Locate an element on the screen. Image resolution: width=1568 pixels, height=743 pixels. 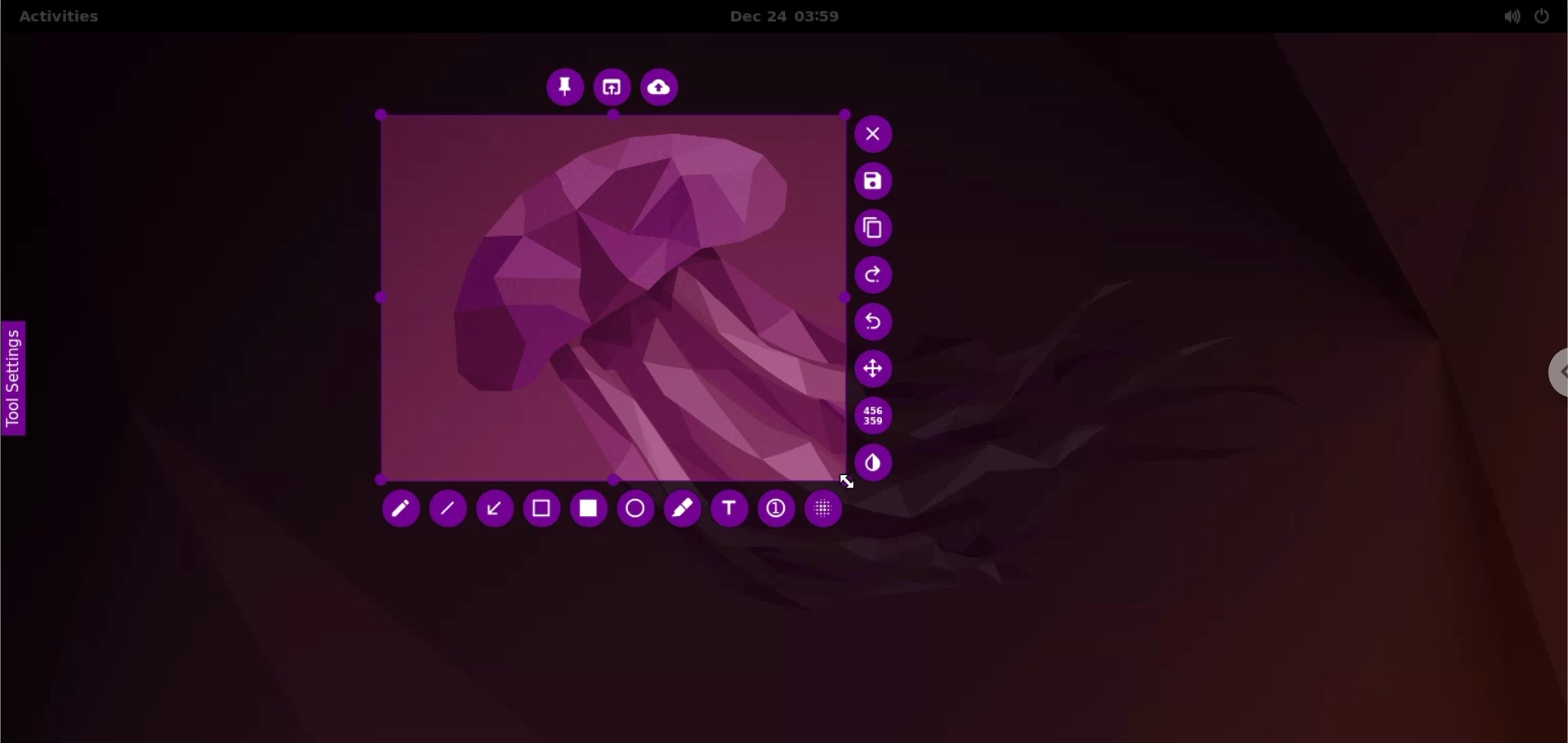
tool settings  is located at coordinates (14, 382).